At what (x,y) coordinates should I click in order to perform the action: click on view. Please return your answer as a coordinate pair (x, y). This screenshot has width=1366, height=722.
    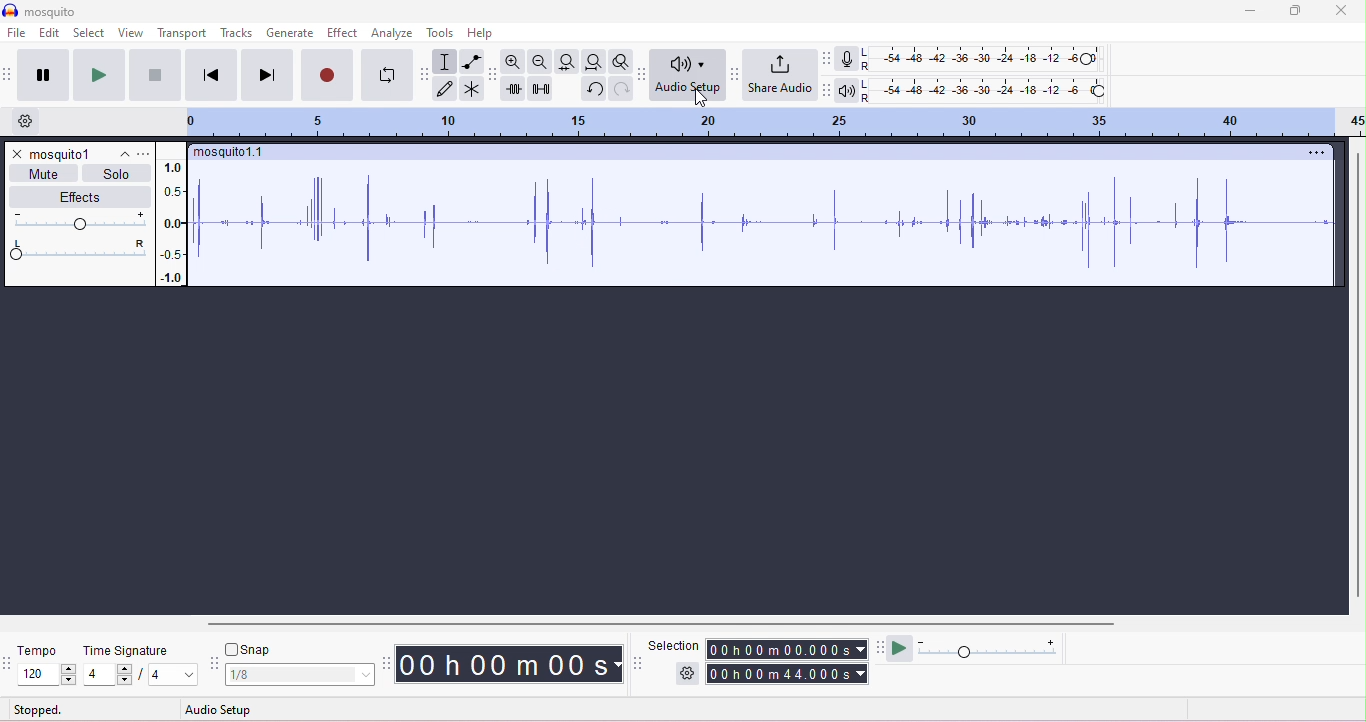
    Looking at the image, I should click on (130, 32).